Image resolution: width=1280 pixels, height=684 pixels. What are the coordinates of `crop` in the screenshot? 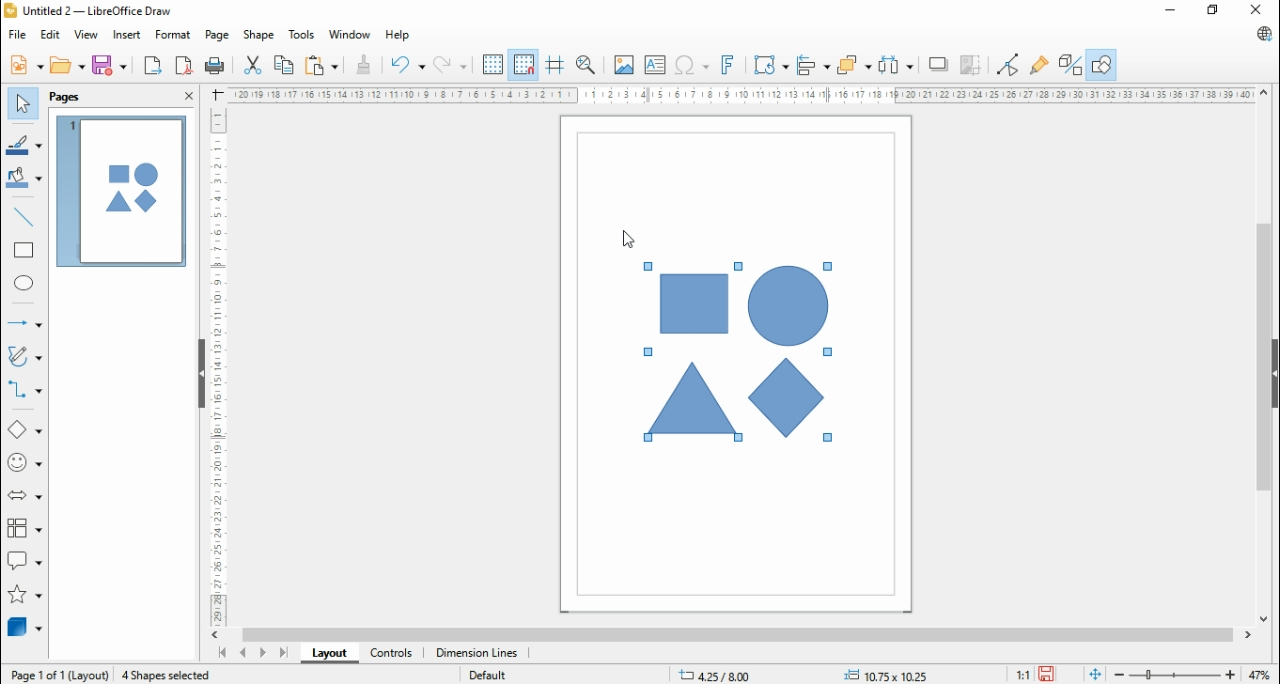 It's located at (971, 66).